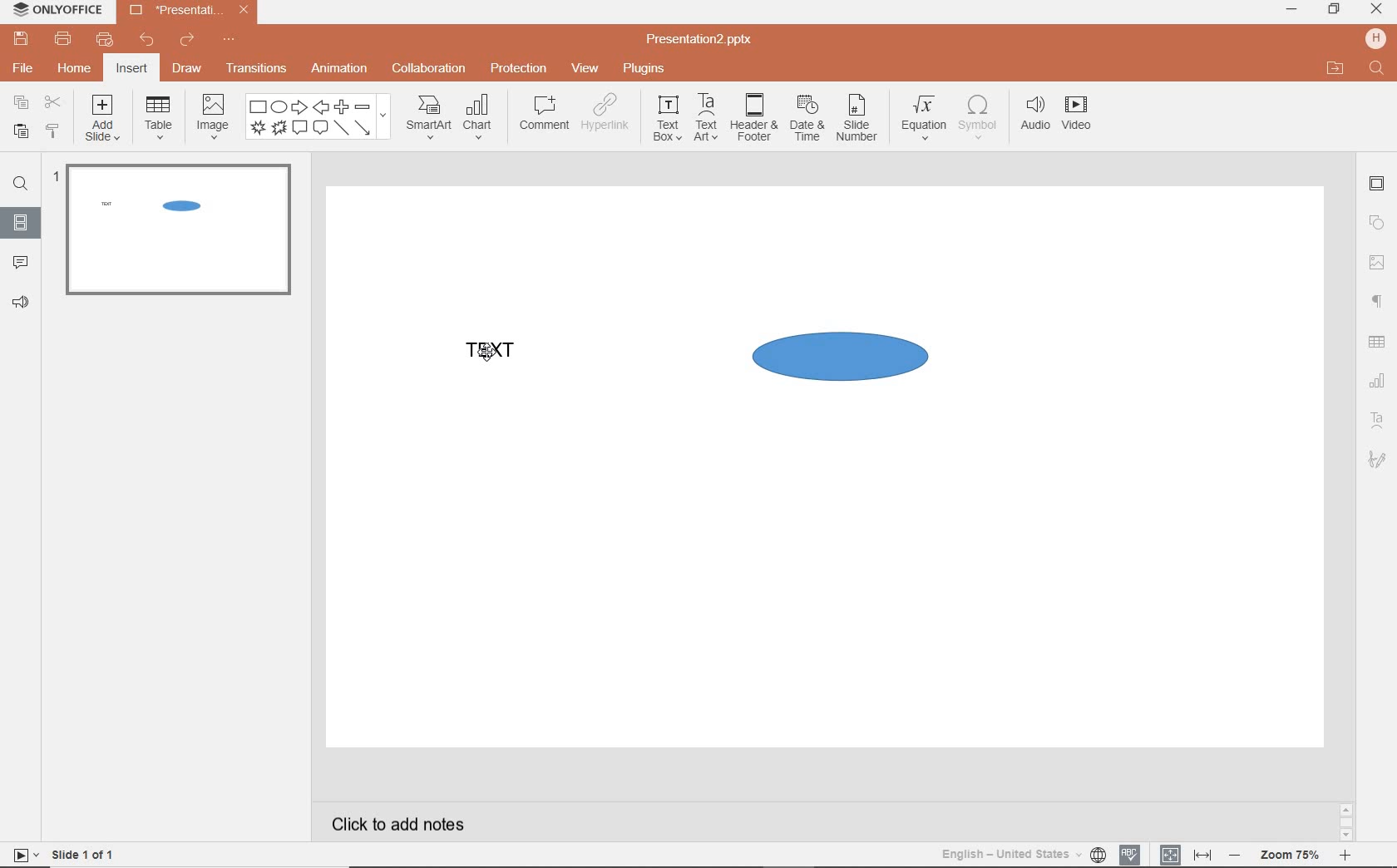 The image size is (1397, 868). I want to click on chart, so click(481, 116).